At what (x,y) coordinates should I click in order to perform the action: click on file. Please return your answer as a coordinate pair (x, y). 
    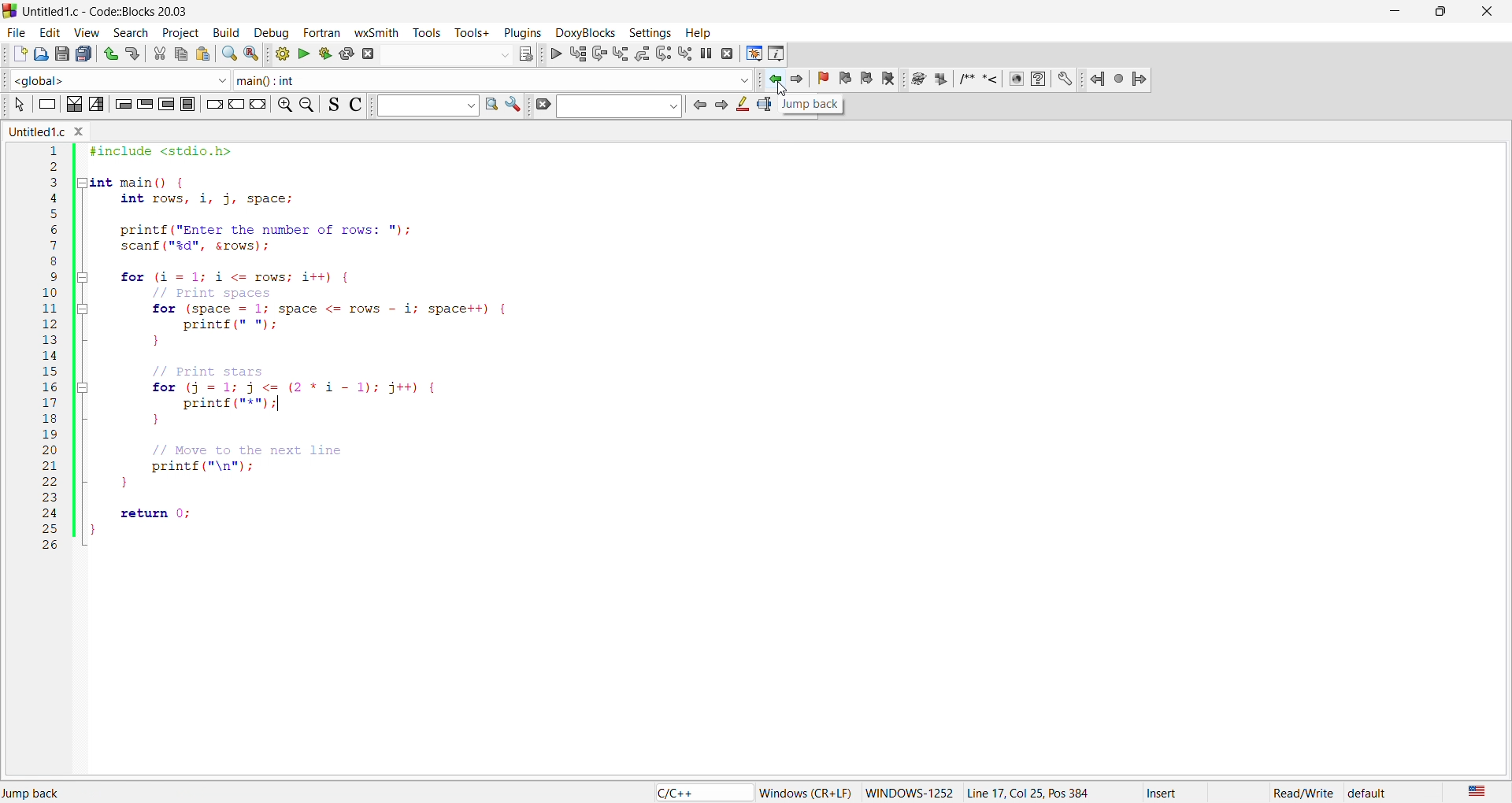
    Looking at the image, I should click on (17, 32).